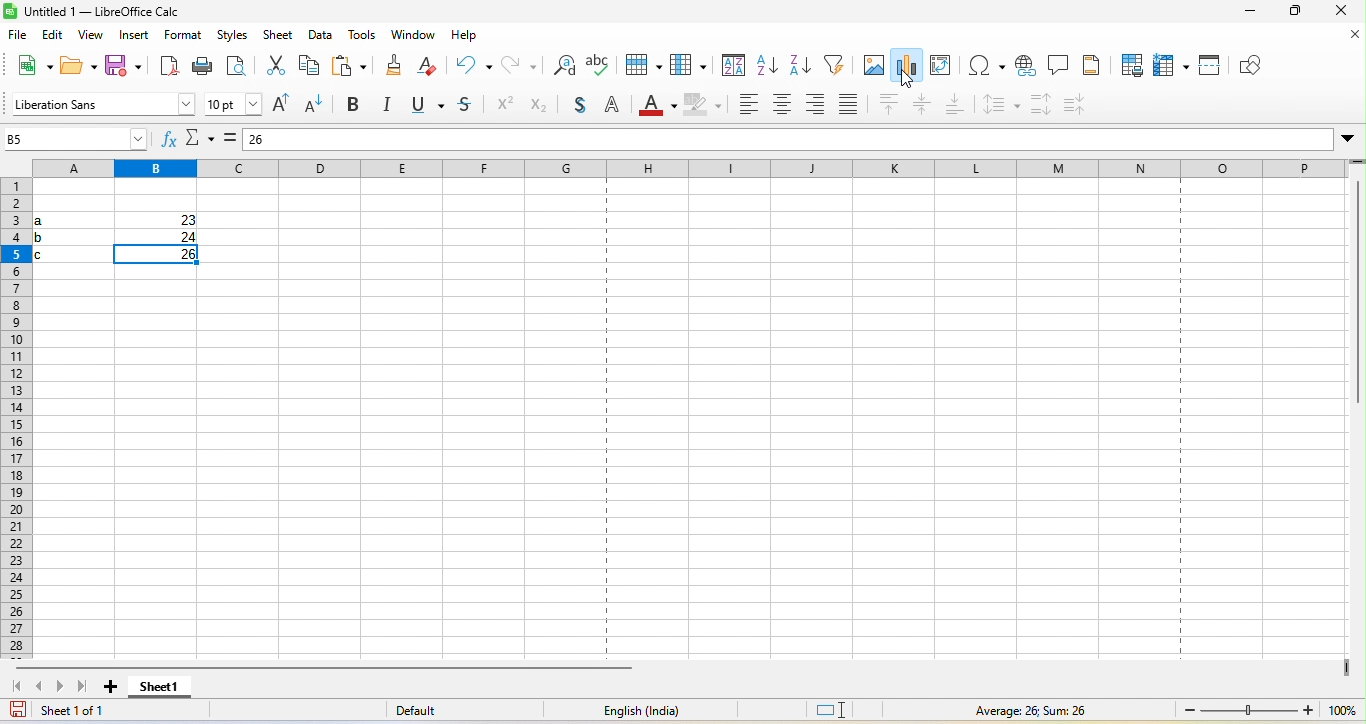  Describe the element at coordinates (692, 65) in the screenshot. I see `column` at that location.